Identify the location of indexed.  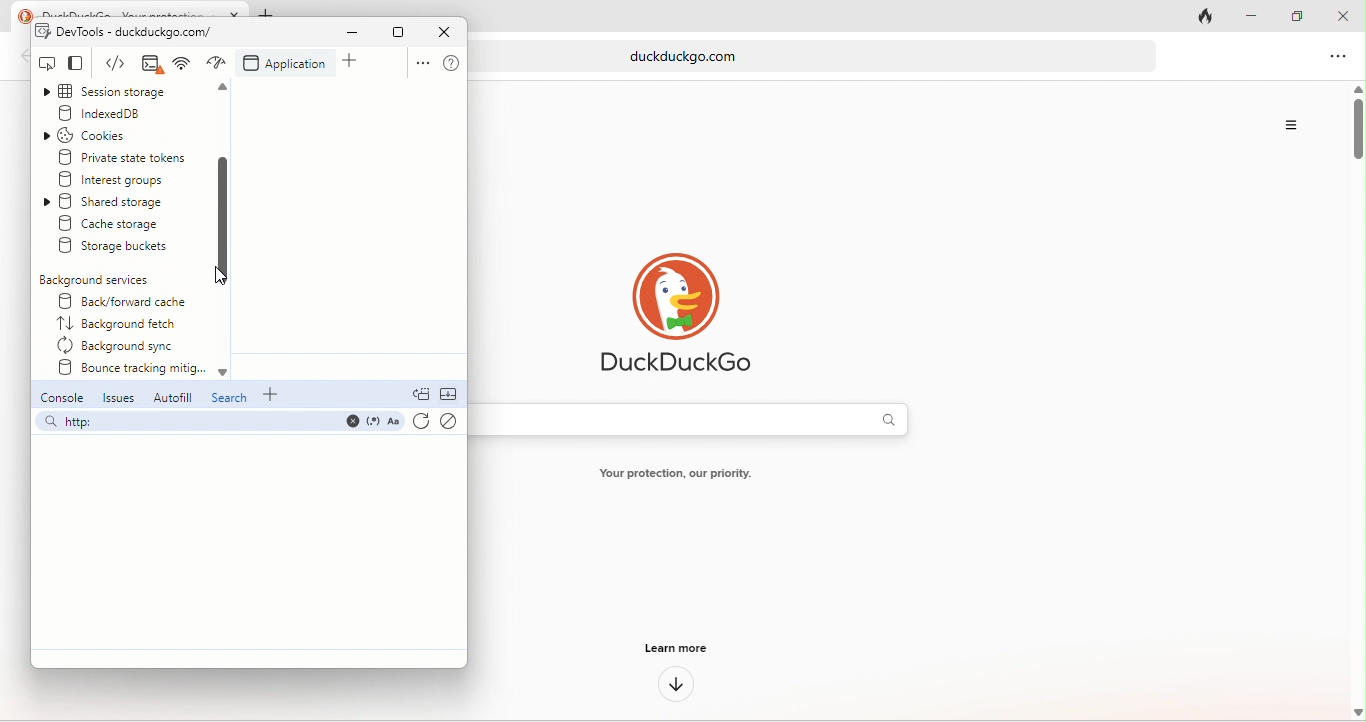
(122, 114).